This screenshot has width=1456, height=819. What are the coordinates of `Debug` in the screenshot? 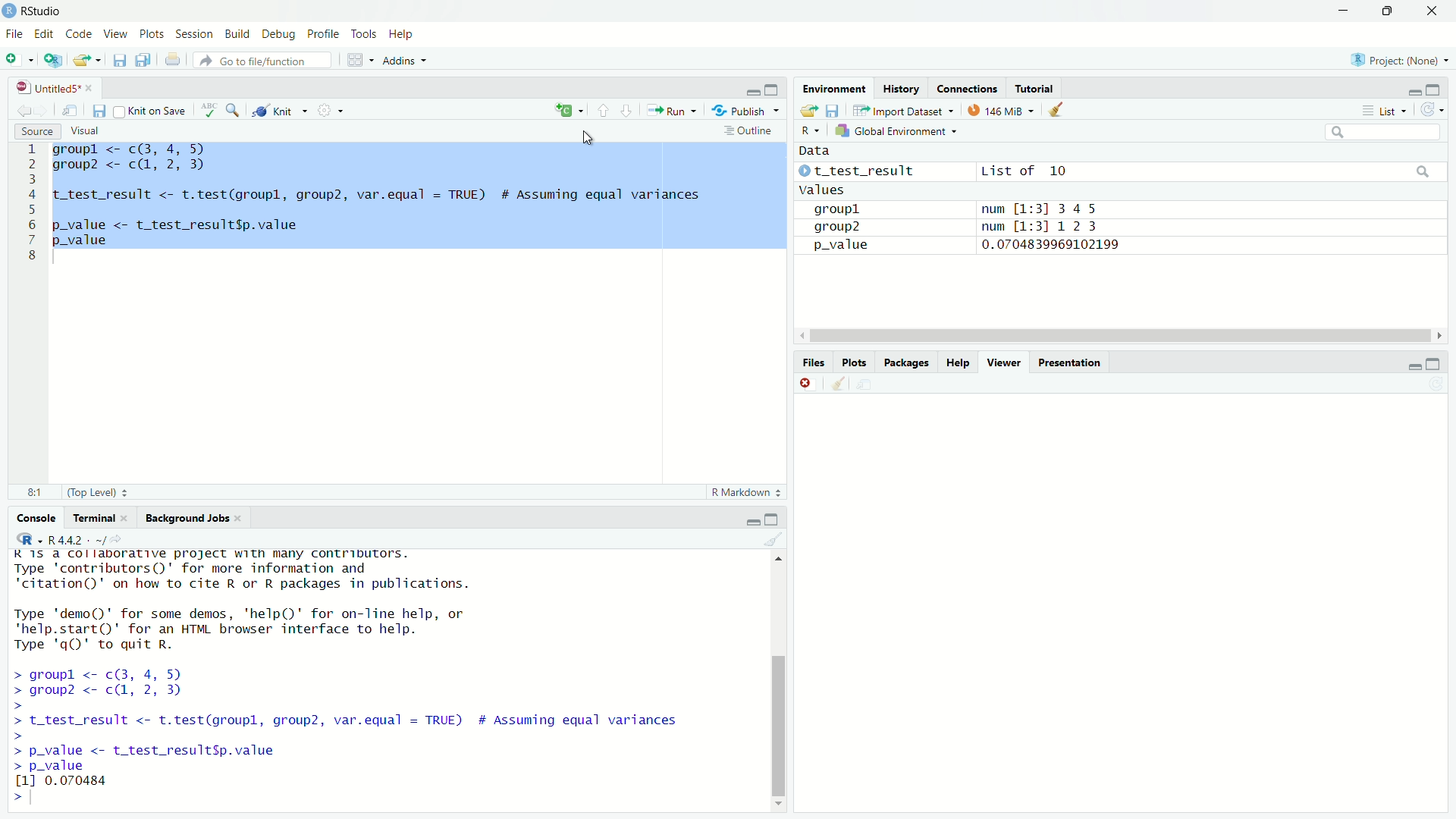 It's located at (277, 32).